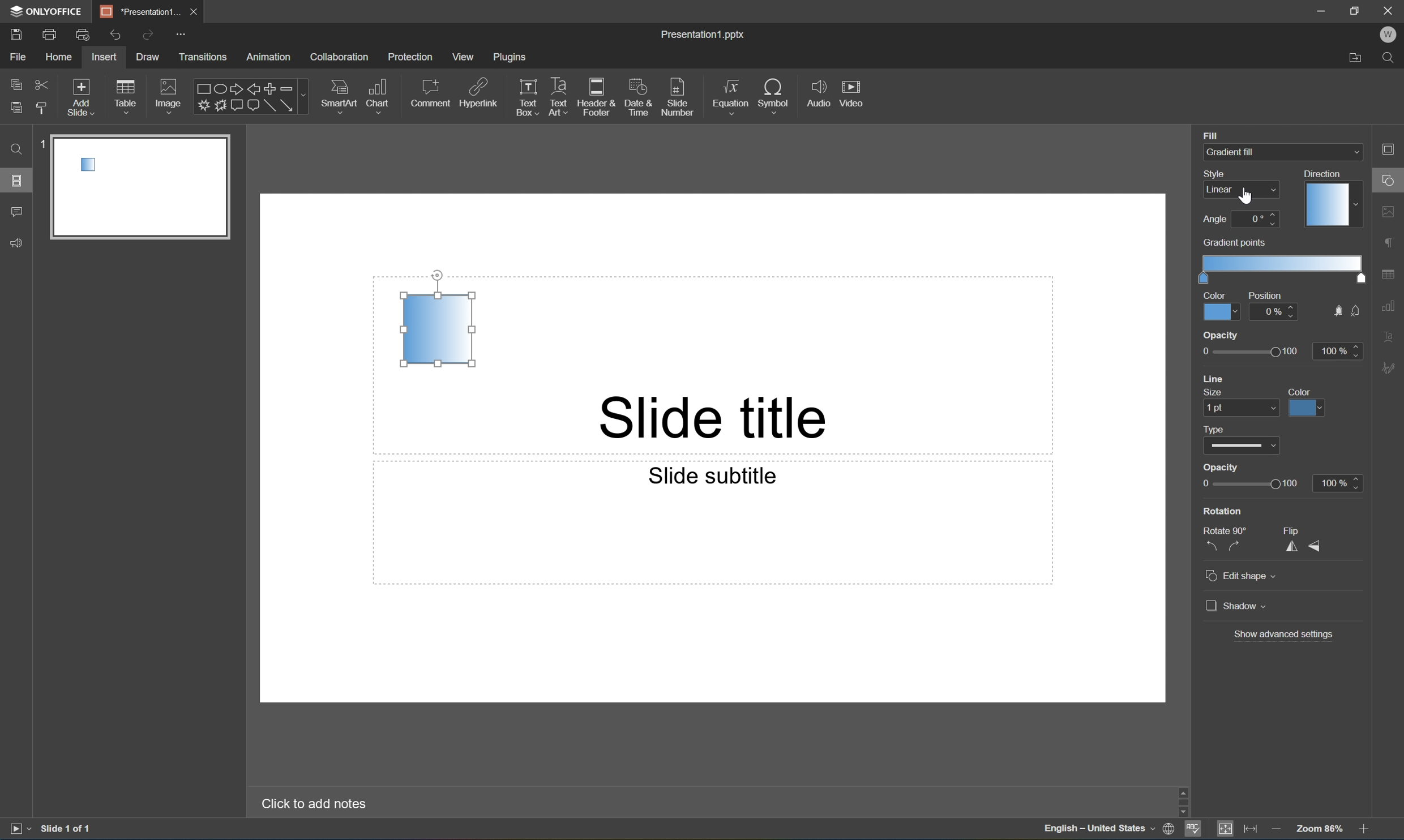  I want to click on style, so click(1219, 174).